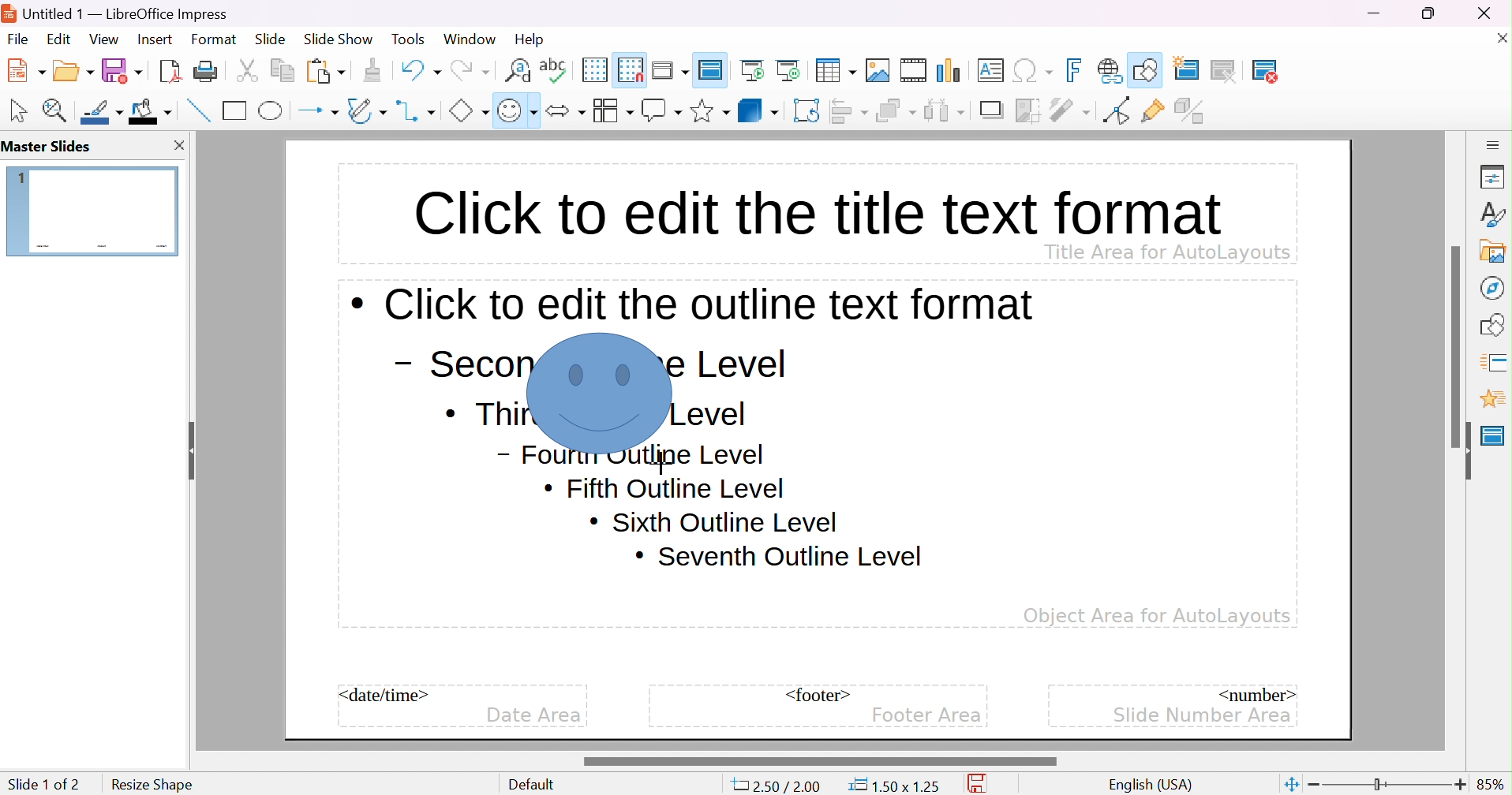 The height and width of the screenshot is (795, 1512). I want to click on slides, so click(51, 147).